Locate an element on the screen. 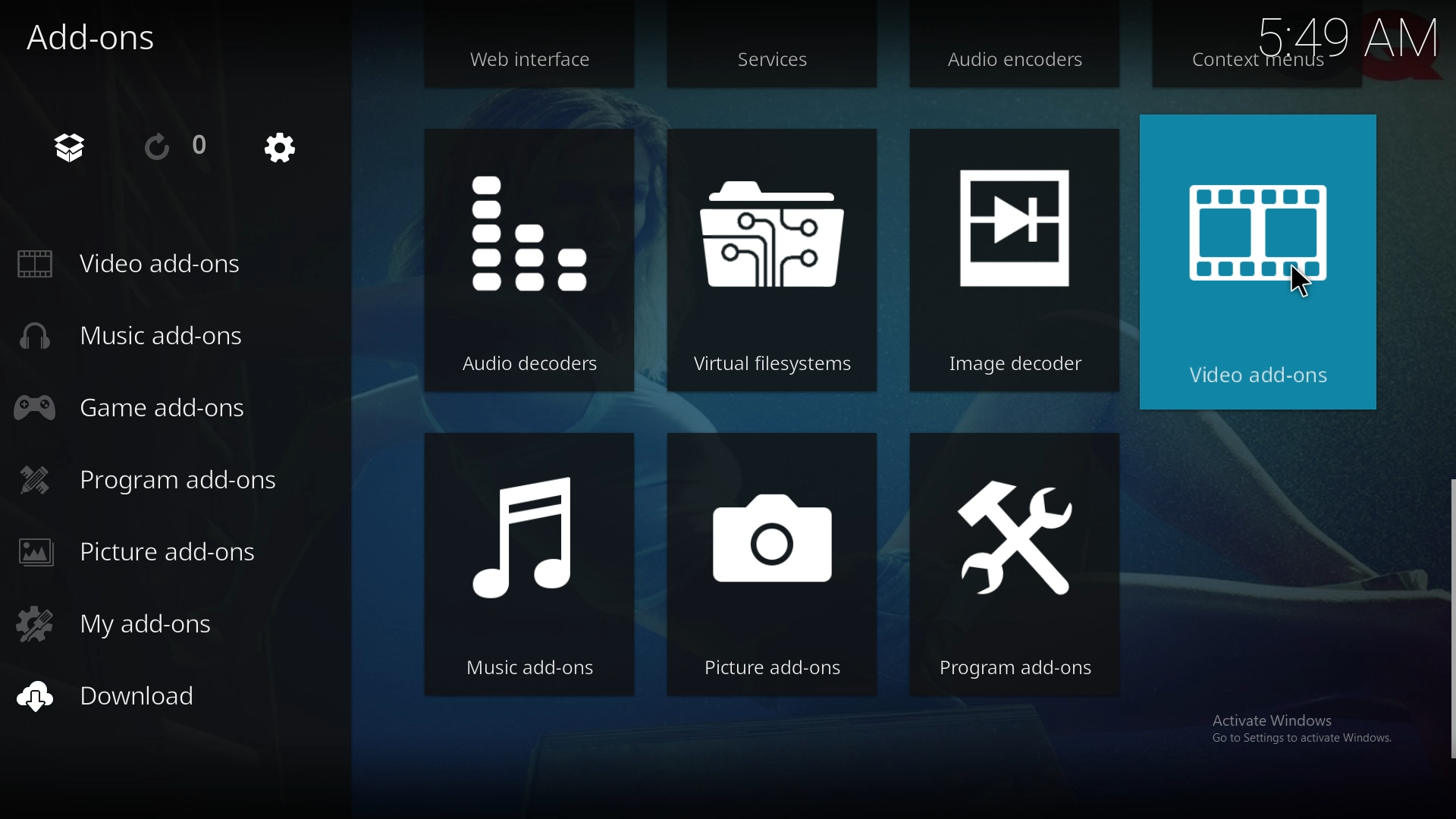 The image size is (1456, 819). audio encoders is located at coordinates (1013, 45).